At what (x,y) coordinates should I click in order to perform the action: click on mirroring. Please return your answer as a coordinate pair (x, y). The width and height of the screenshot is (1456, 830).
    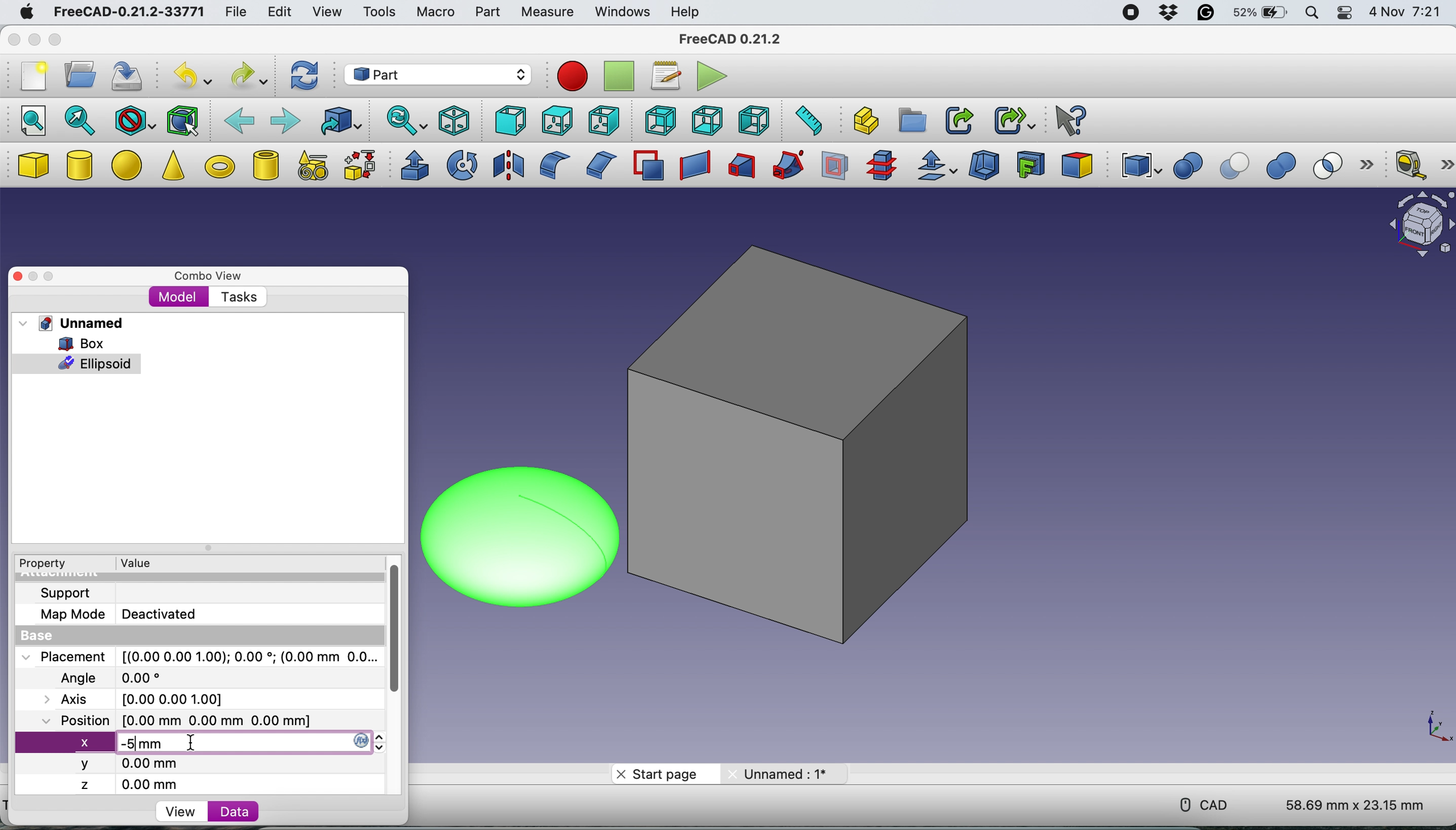
    Looking at the image, I should click on (509, 164).